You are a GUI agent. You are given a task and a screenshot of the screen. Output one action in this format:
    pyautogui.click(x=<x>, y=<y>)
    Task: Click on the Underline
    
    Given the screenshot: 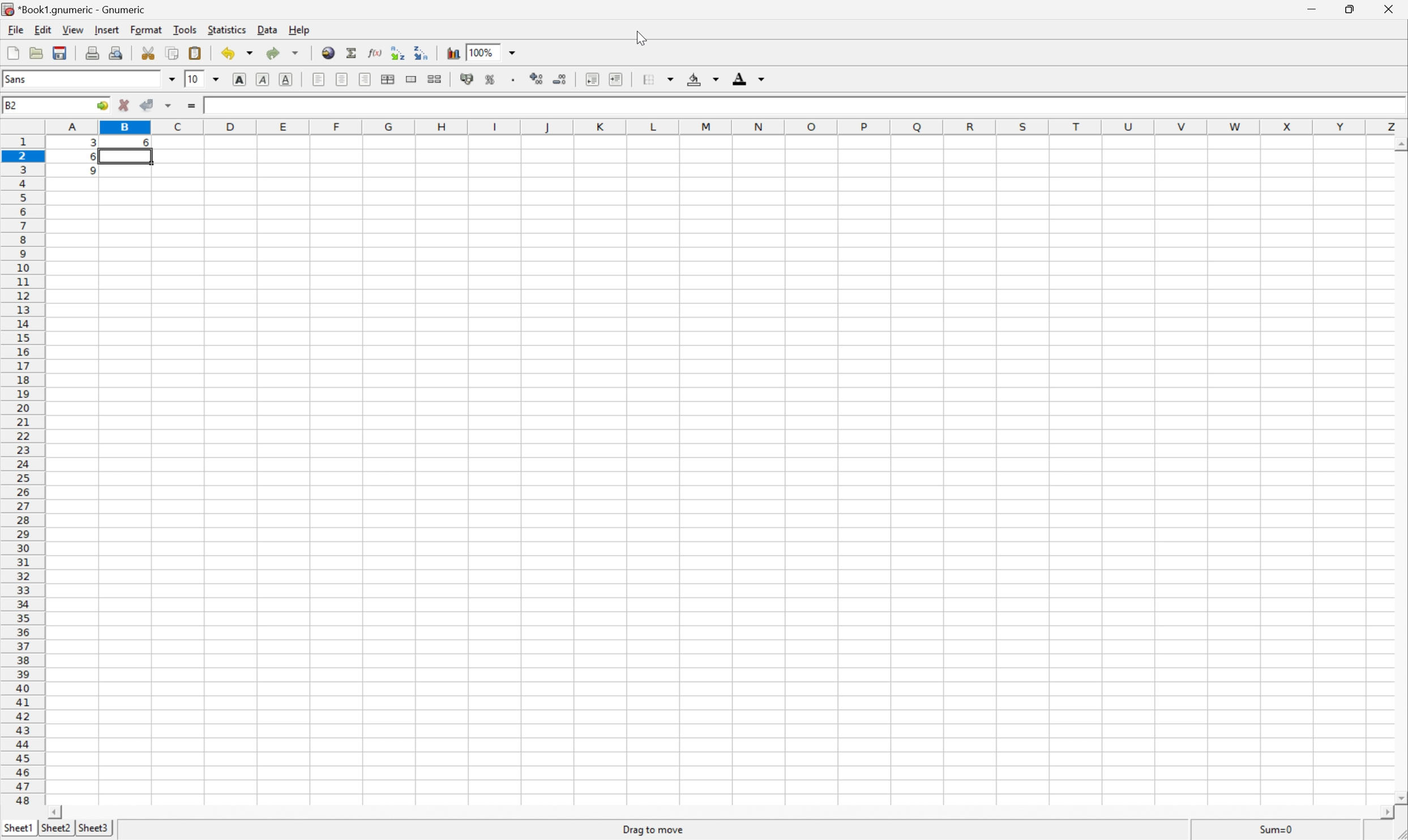 What is the action you would take?
    pyautogui.click(x=287, y=79)
    